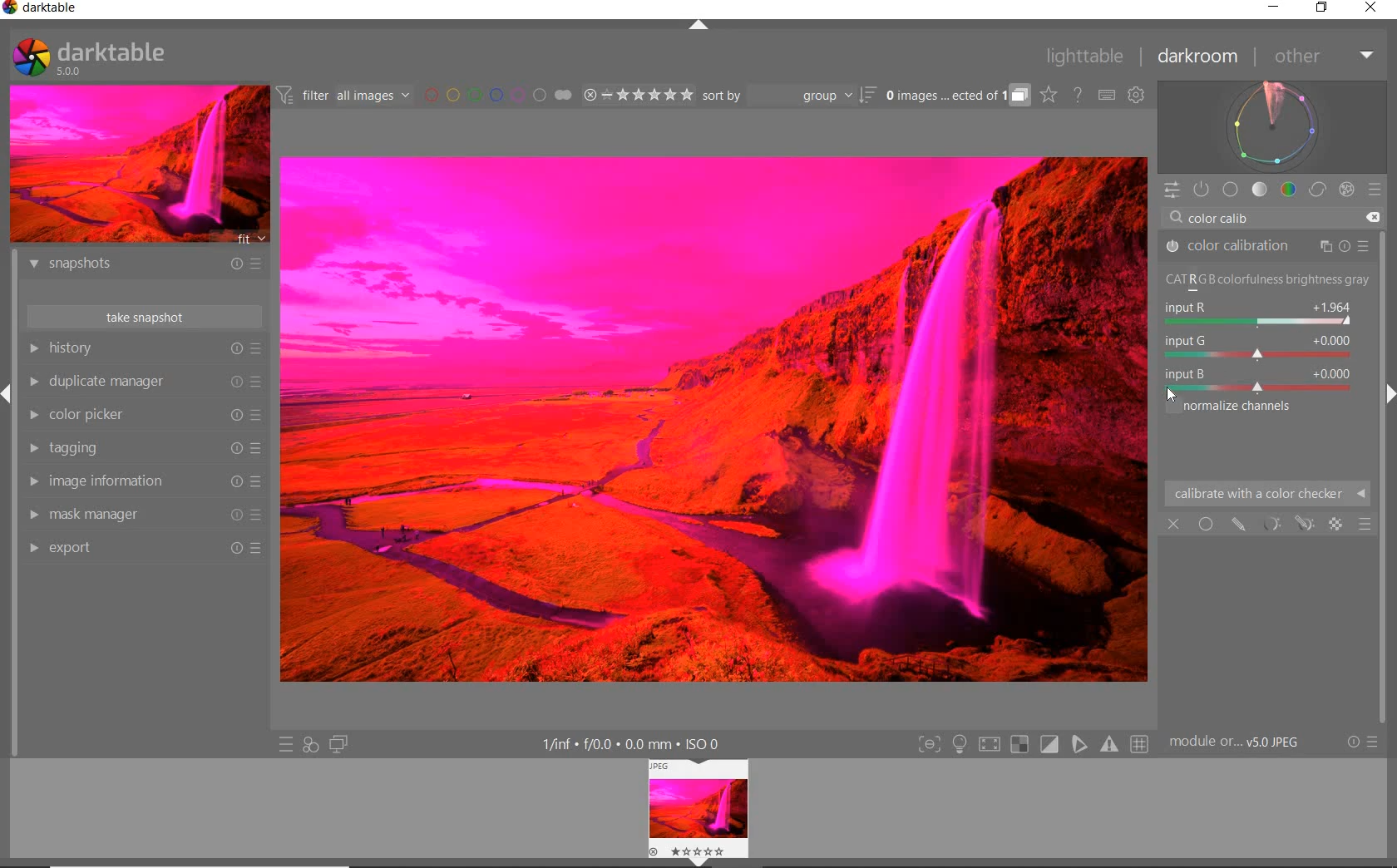 This screenshot has width=1397, height=868. I want to click on TOGGLE MODES, so click(1032, 745).